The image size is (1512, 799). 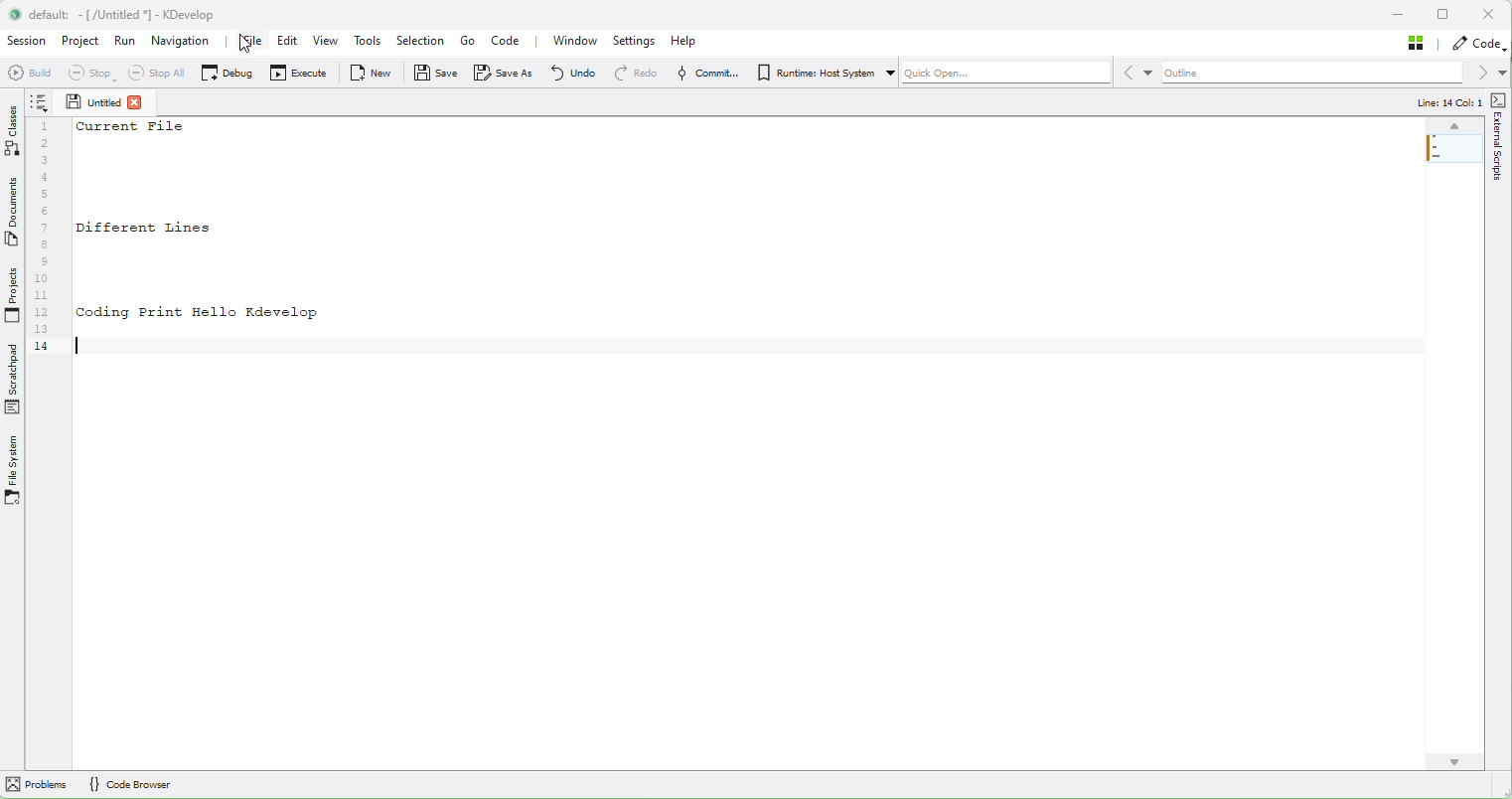 What do you see at coordinates (15, 14) in the screenshot?
I see `logo` at bounding box center [15, 14].